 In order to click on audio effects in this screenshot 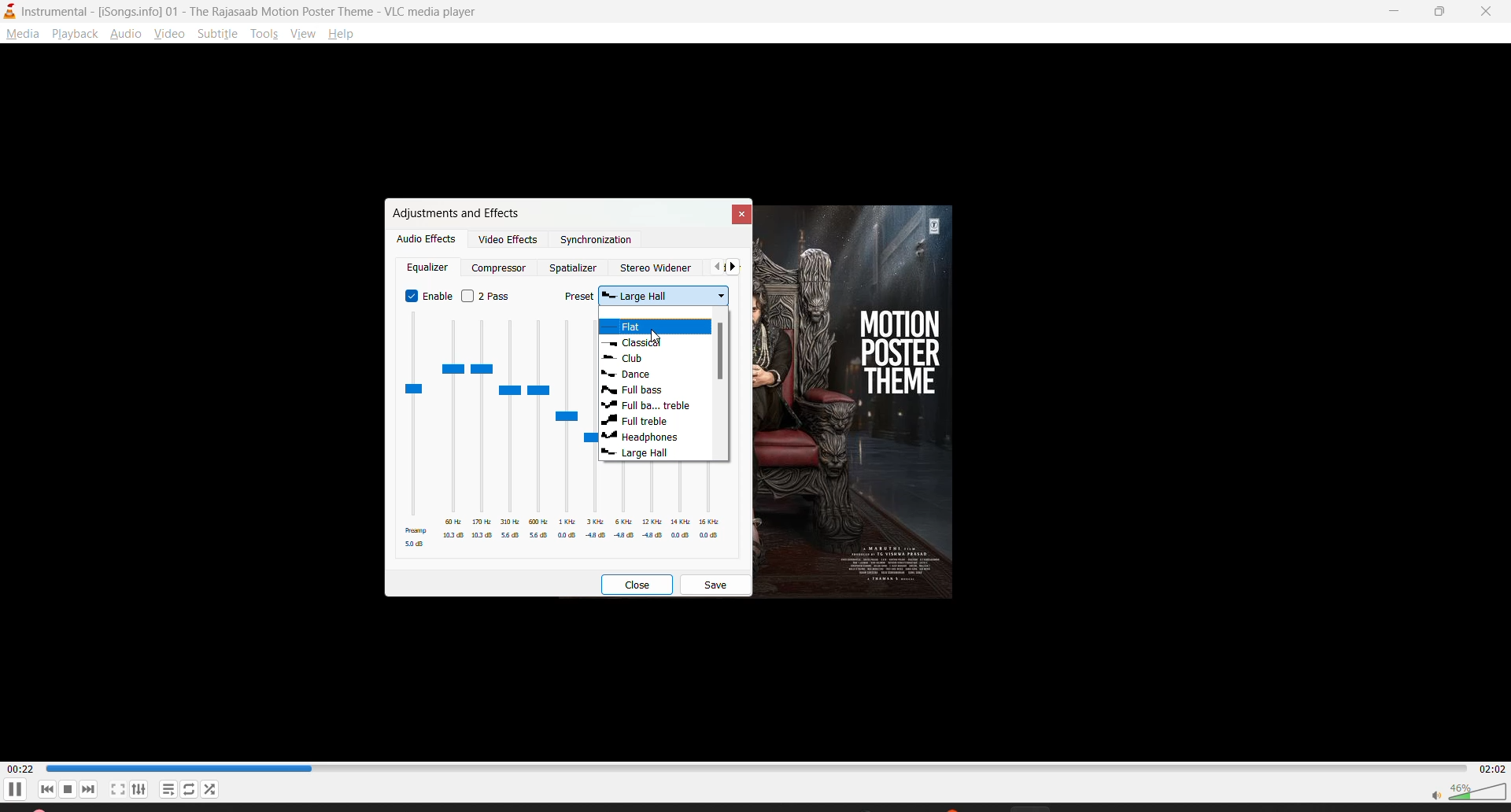, I will do `click(427, 239)`.